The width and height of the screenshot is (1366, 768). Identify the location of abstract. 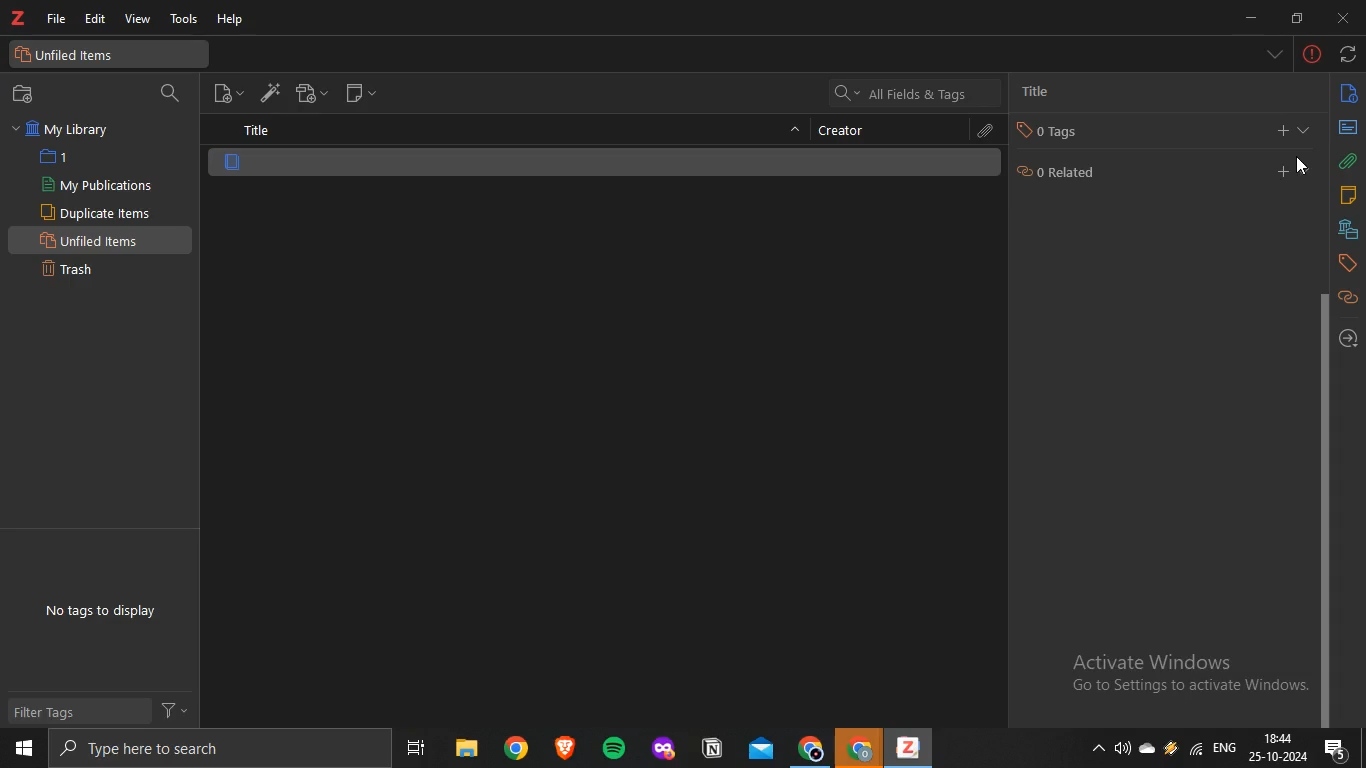
(1347, 127).